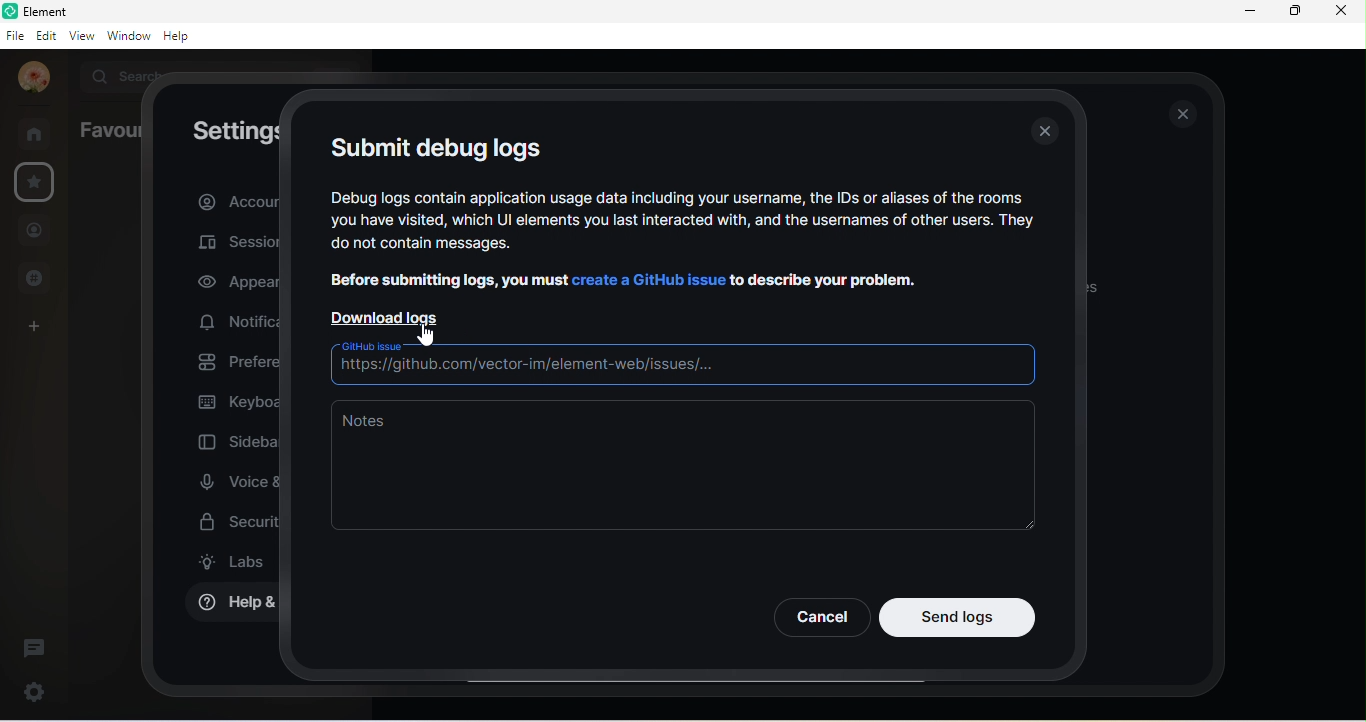 This screenshot has width=1366, height=722. What do you see at coordinates (392, 315) in the screenshot?
I see `download logs` at bounding box center [392, 315].